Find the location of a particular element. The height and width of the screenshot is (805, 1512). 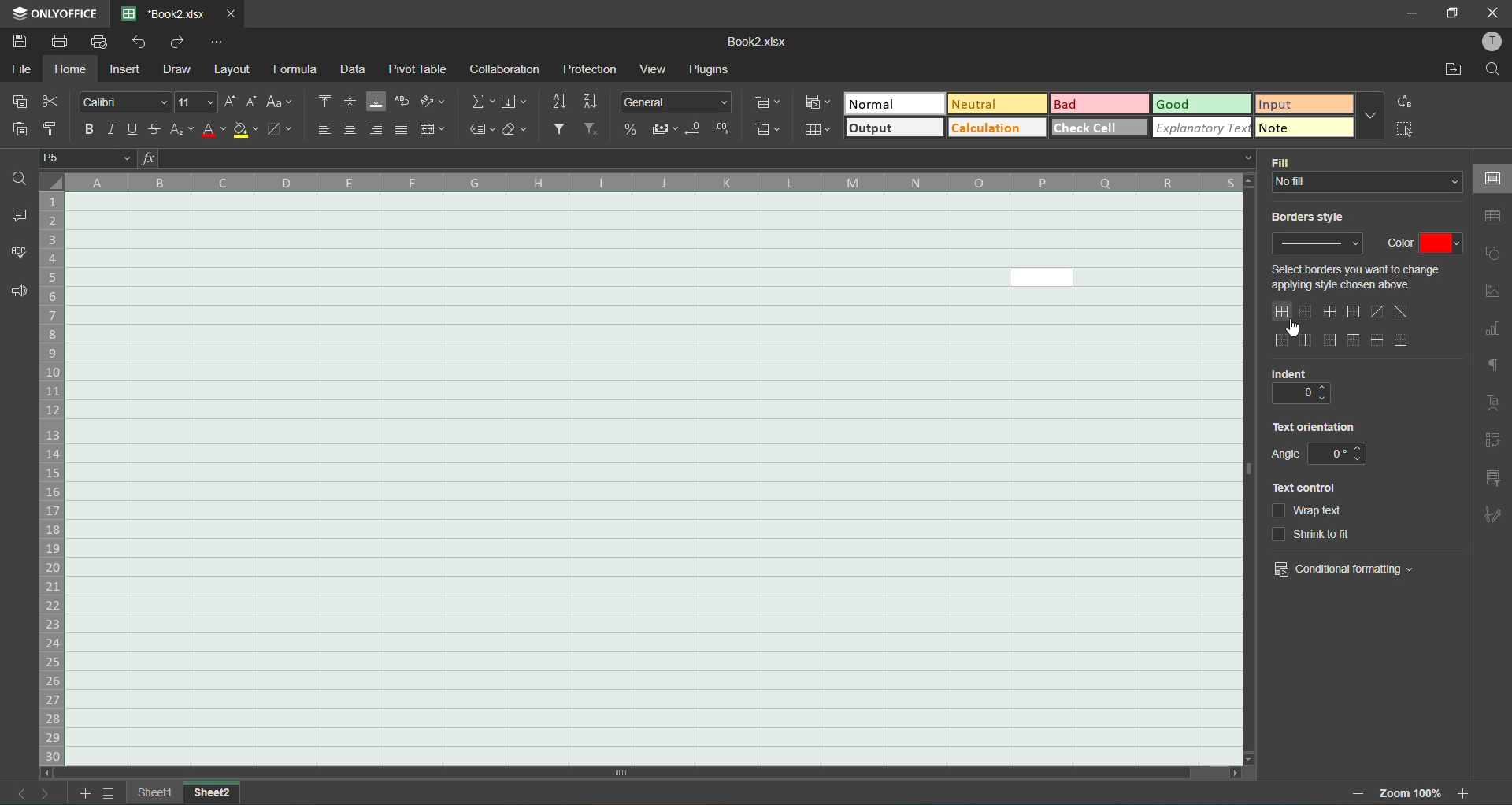

minimize is located at coordinates (1416, 15).